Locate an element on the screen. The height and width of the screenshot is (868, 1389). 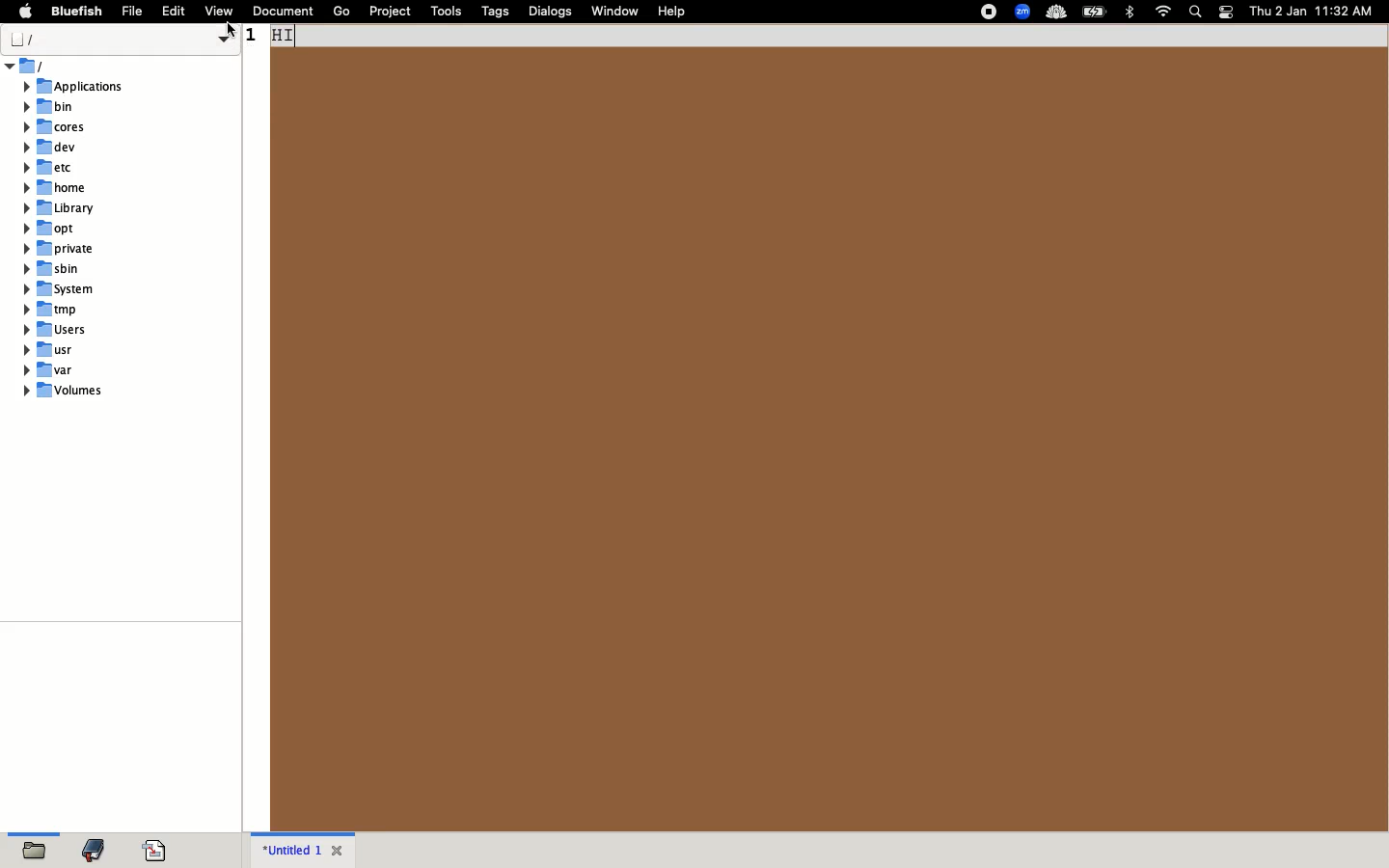
document is located at coordinates (285, 12).